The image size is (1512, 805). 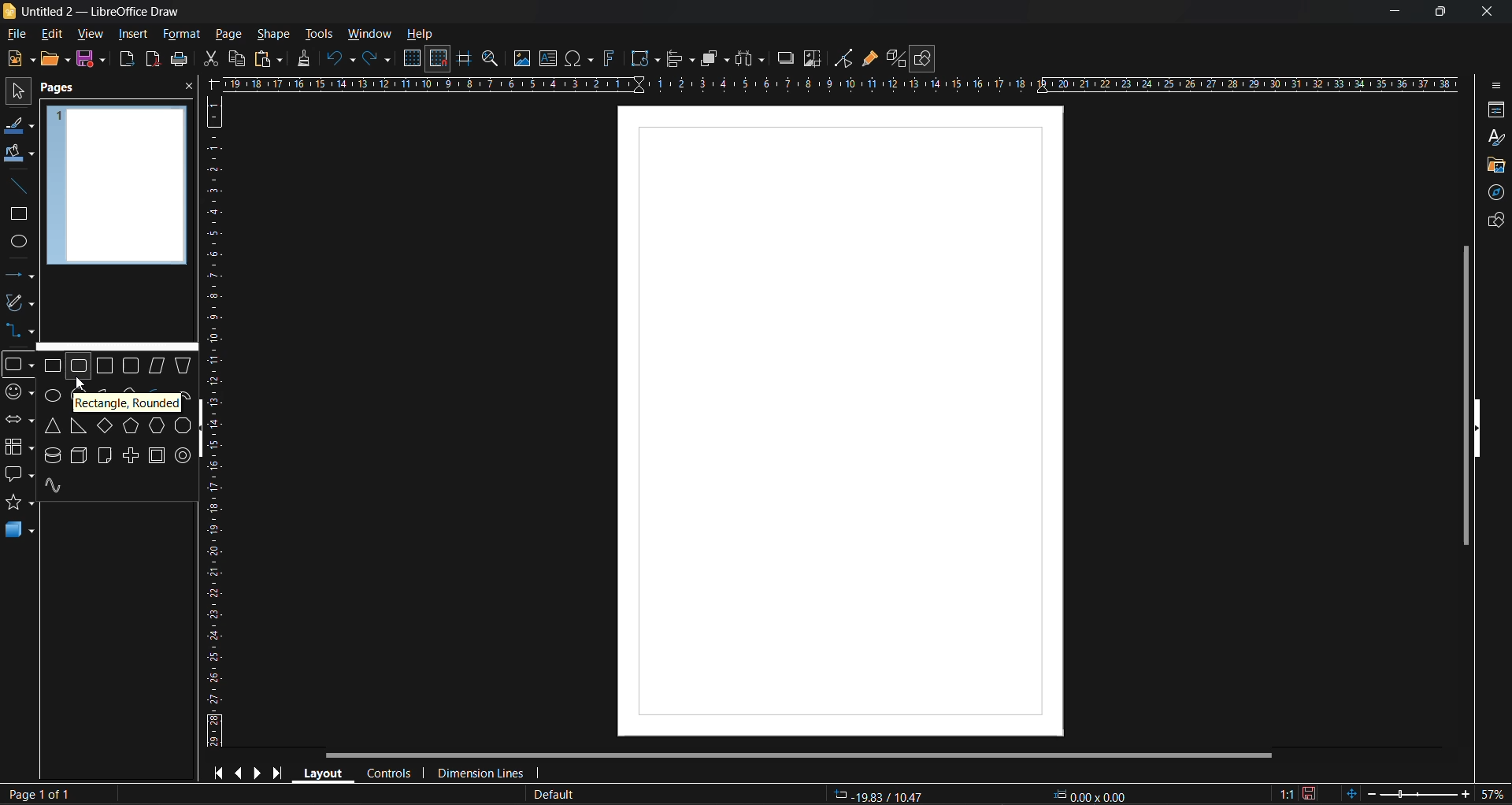 What do you see at coordinates (237, 771) in the screenshot?
I see `previous` at bounding box center [237, 771].